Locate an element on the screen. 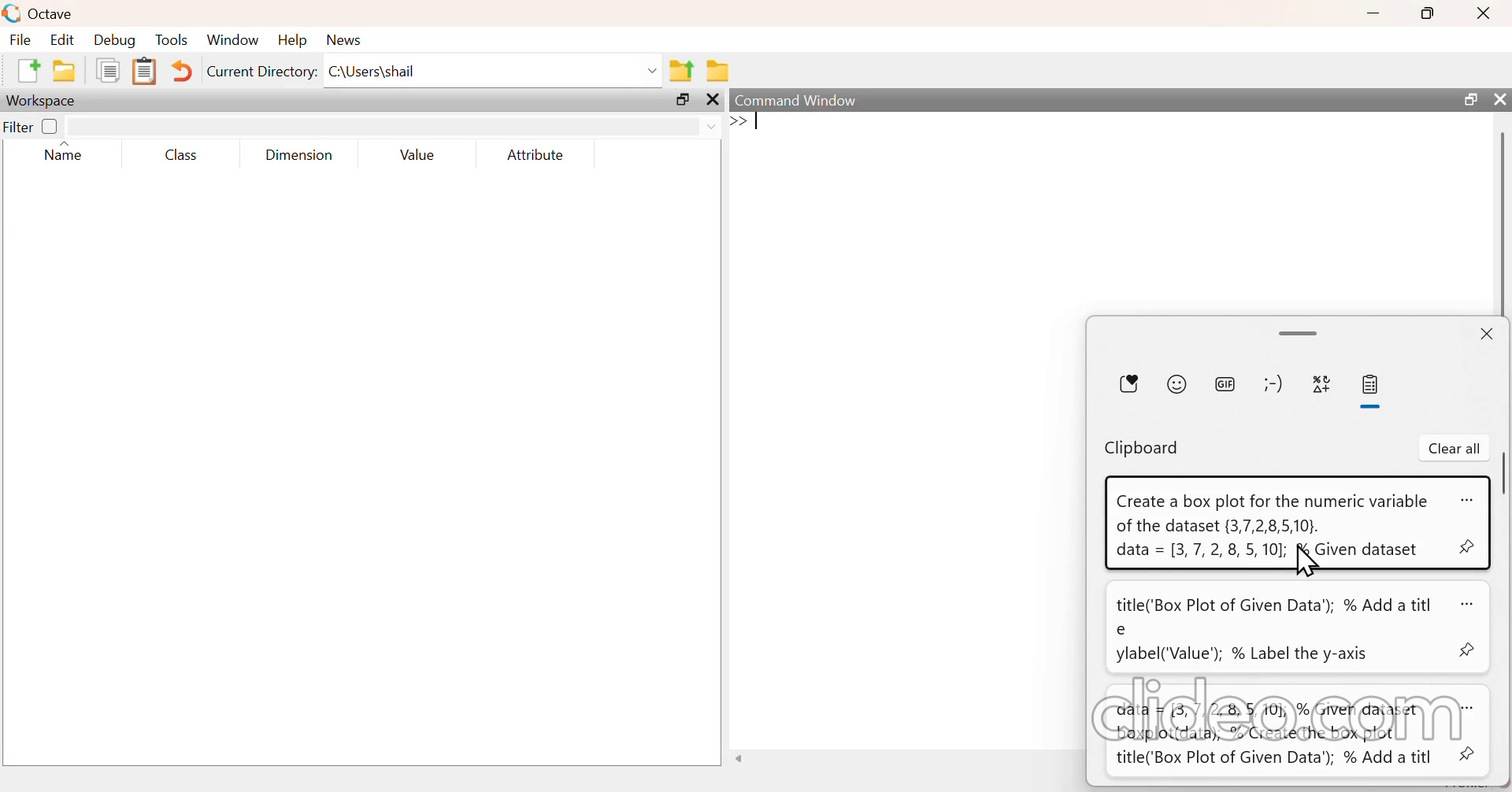  paste is located at coordinates (146, 69).